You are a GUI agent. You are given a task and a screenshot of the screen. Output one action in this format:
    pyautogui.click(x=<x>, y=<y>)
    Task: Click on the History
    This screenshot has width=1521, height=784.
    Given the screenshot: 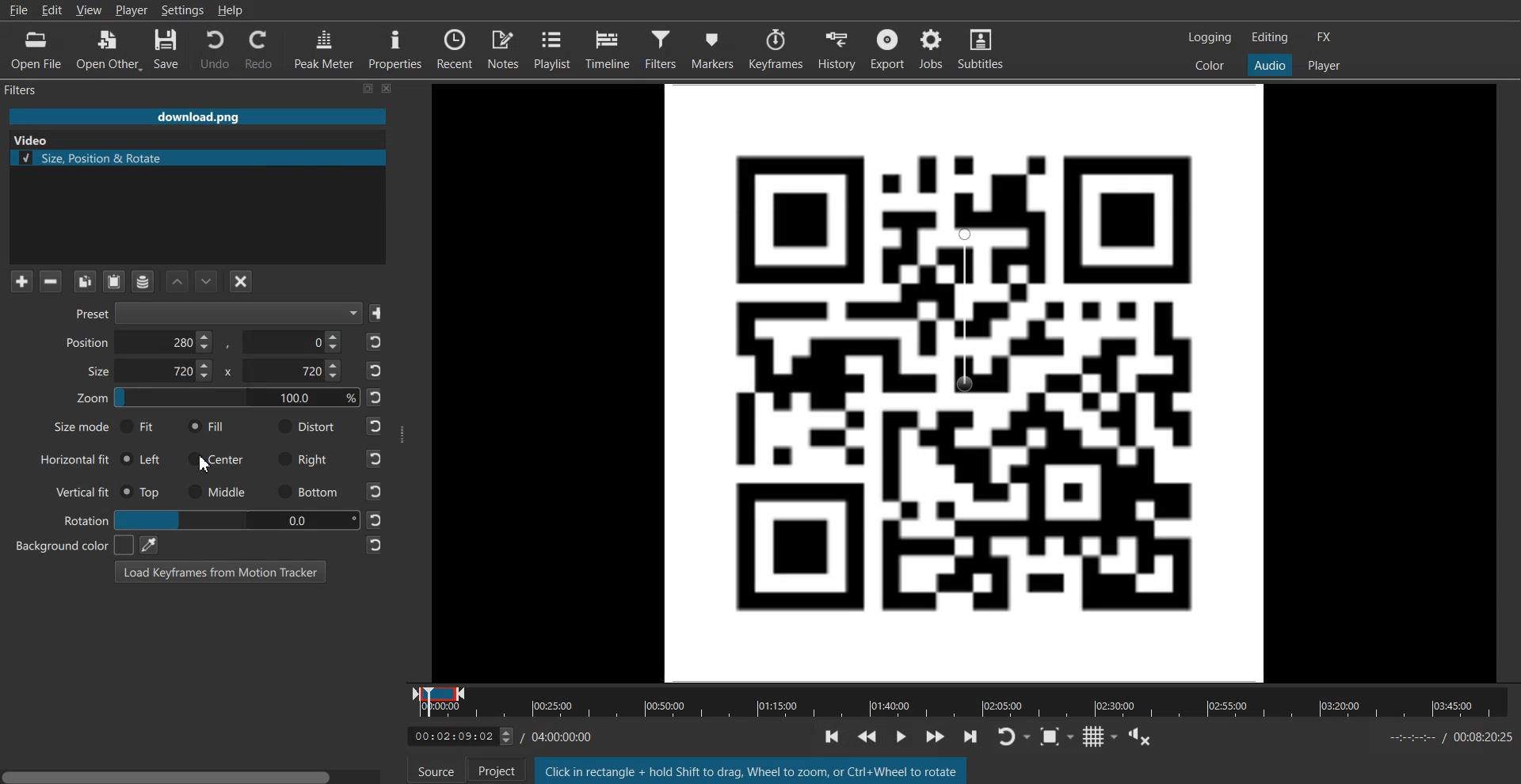 What is the action you would take?
    pyautogui.click(x=836, y=48)
    